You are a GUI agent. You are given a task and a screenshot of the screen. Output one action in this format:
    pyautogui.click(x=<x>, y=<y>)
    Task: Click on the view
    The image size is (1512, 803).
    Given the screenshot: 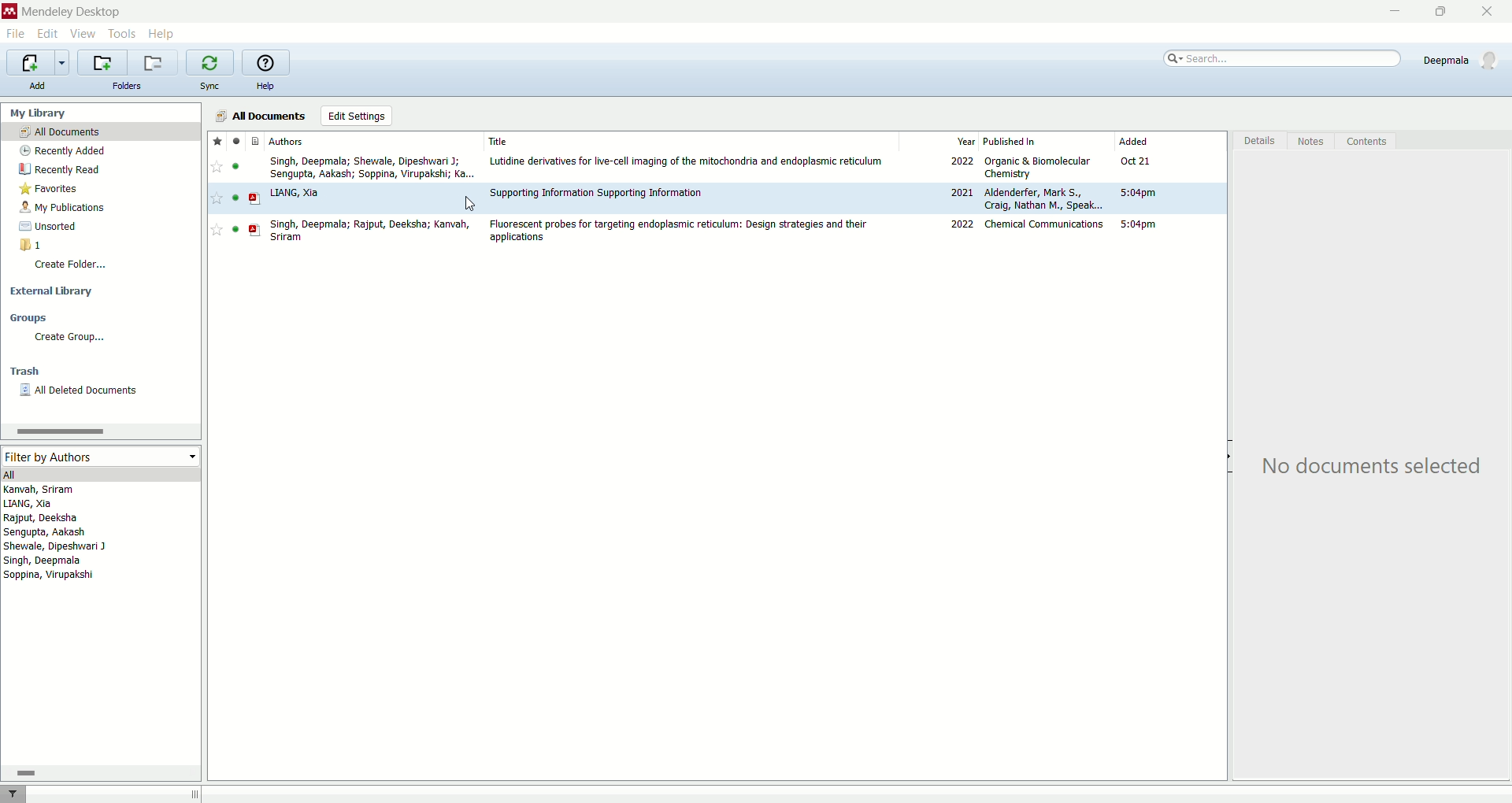 What is the action you would take?
    pyautogui.click(x=83, y=33)
    